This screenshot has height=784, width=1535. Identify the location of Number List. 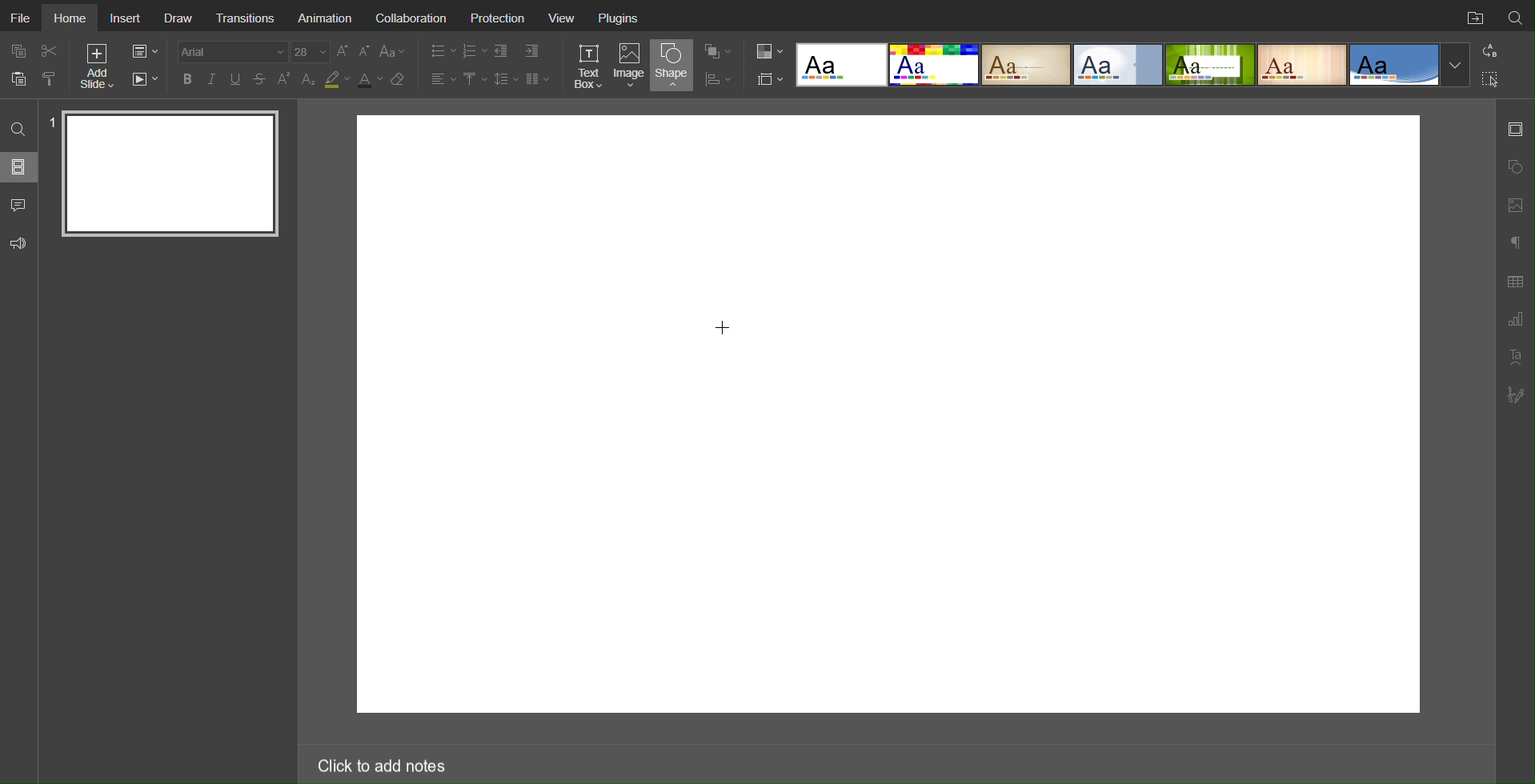
(474, 51).